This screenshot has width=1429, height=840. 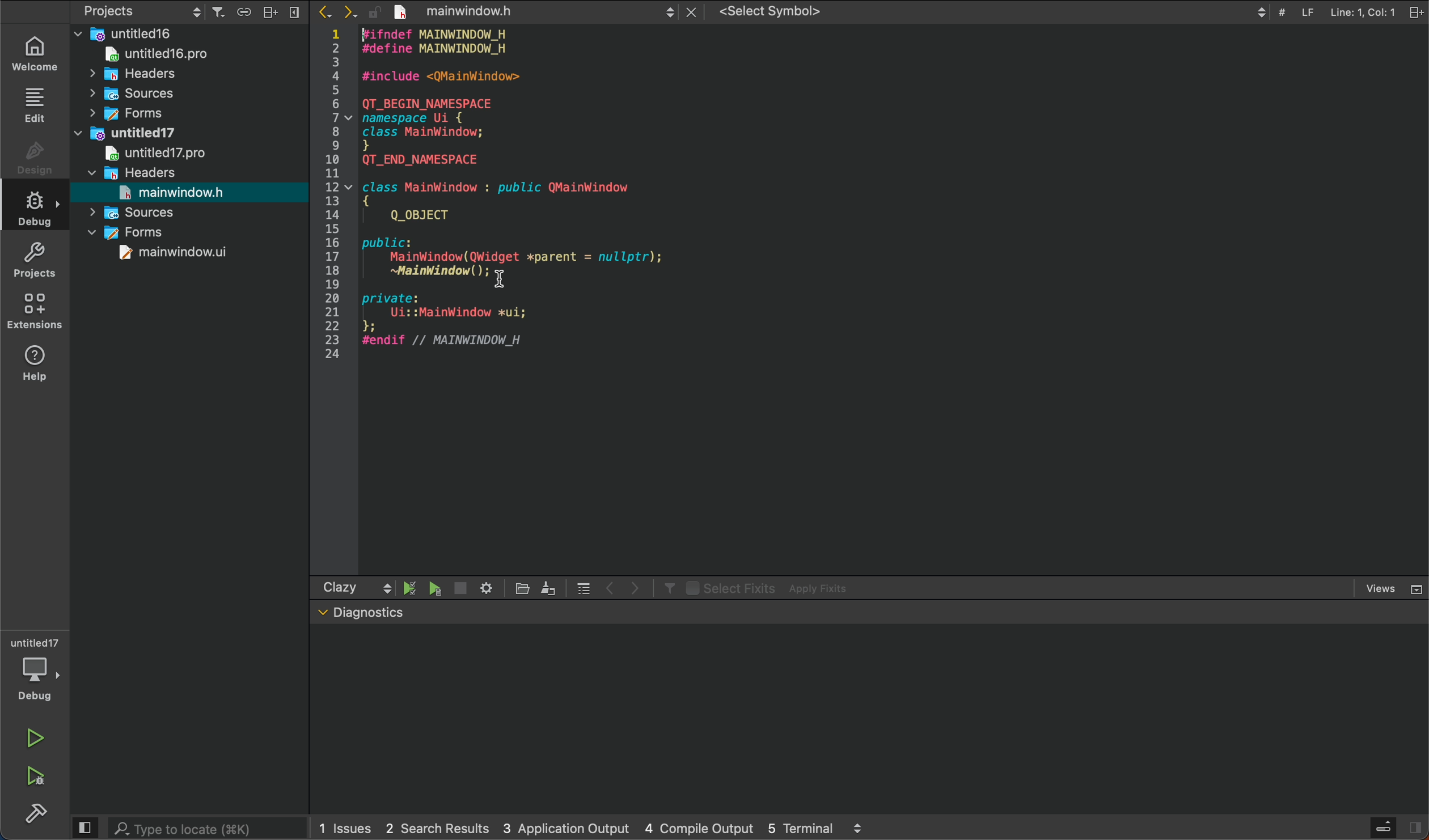 I want to click on Filter, so click(x=666, y=587).